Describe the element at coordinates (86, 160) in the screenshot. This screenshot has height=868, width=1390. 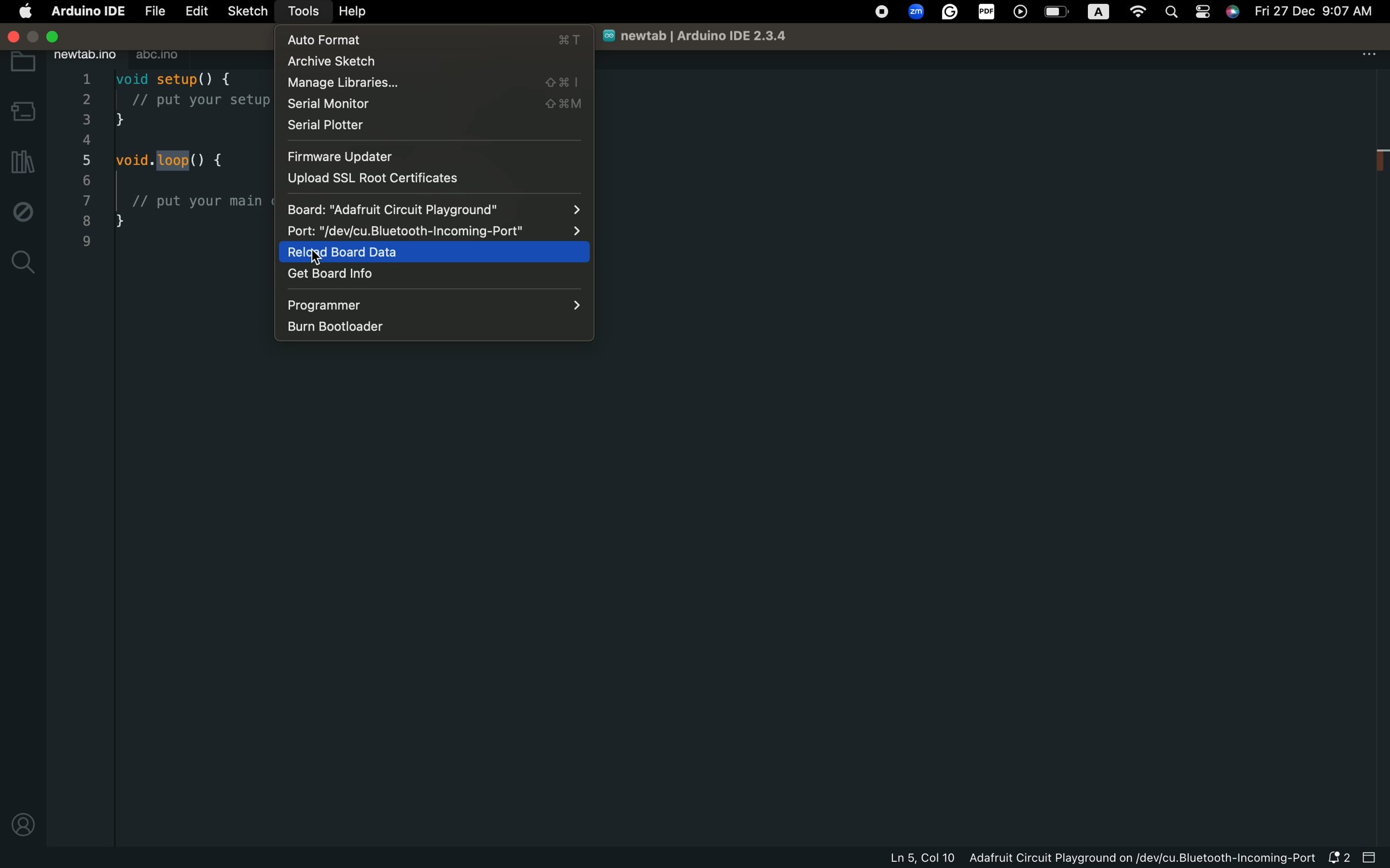
I see `5` at that location.